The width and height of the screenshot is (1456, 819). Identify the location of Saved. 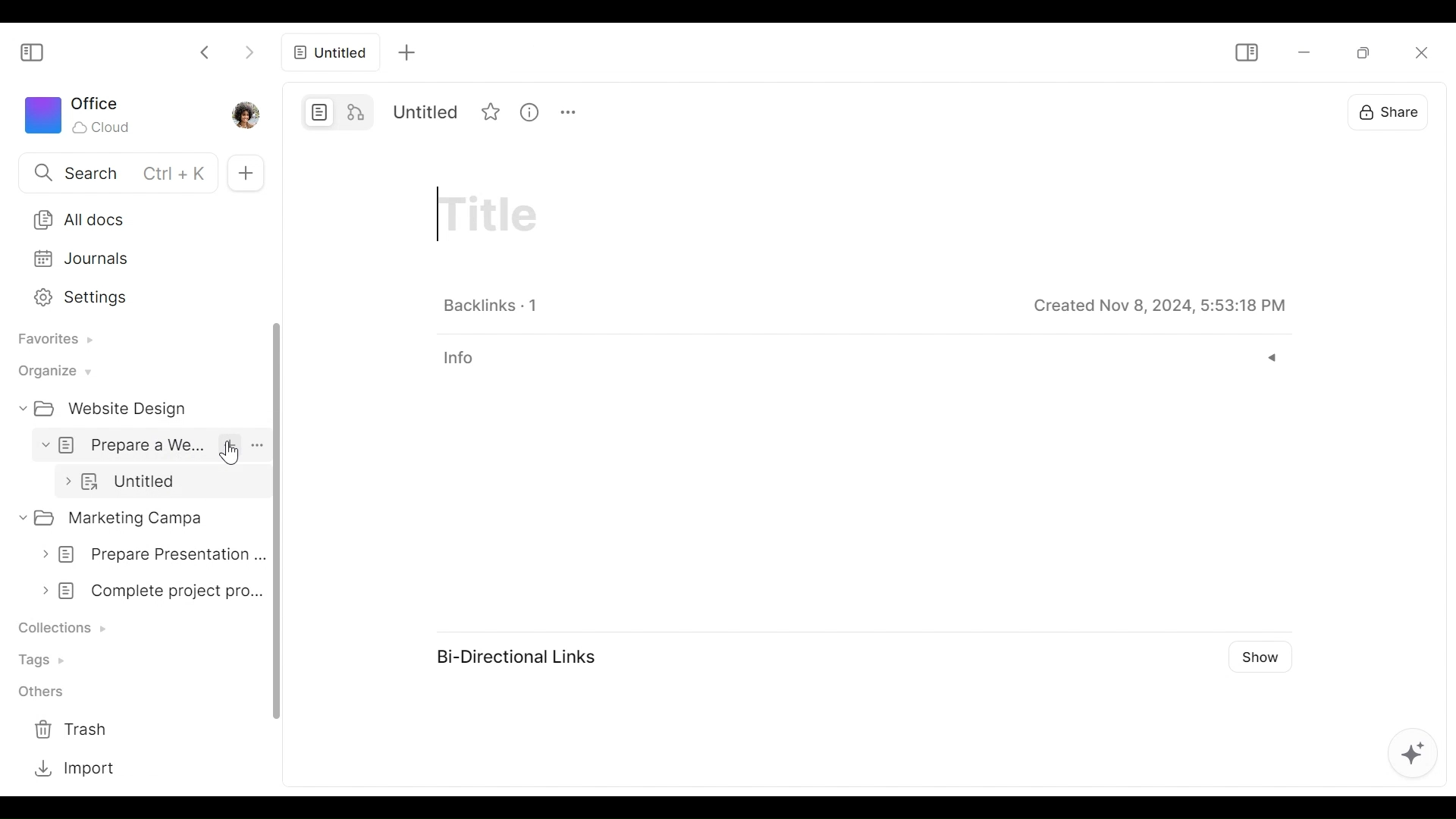
(1159, 303).